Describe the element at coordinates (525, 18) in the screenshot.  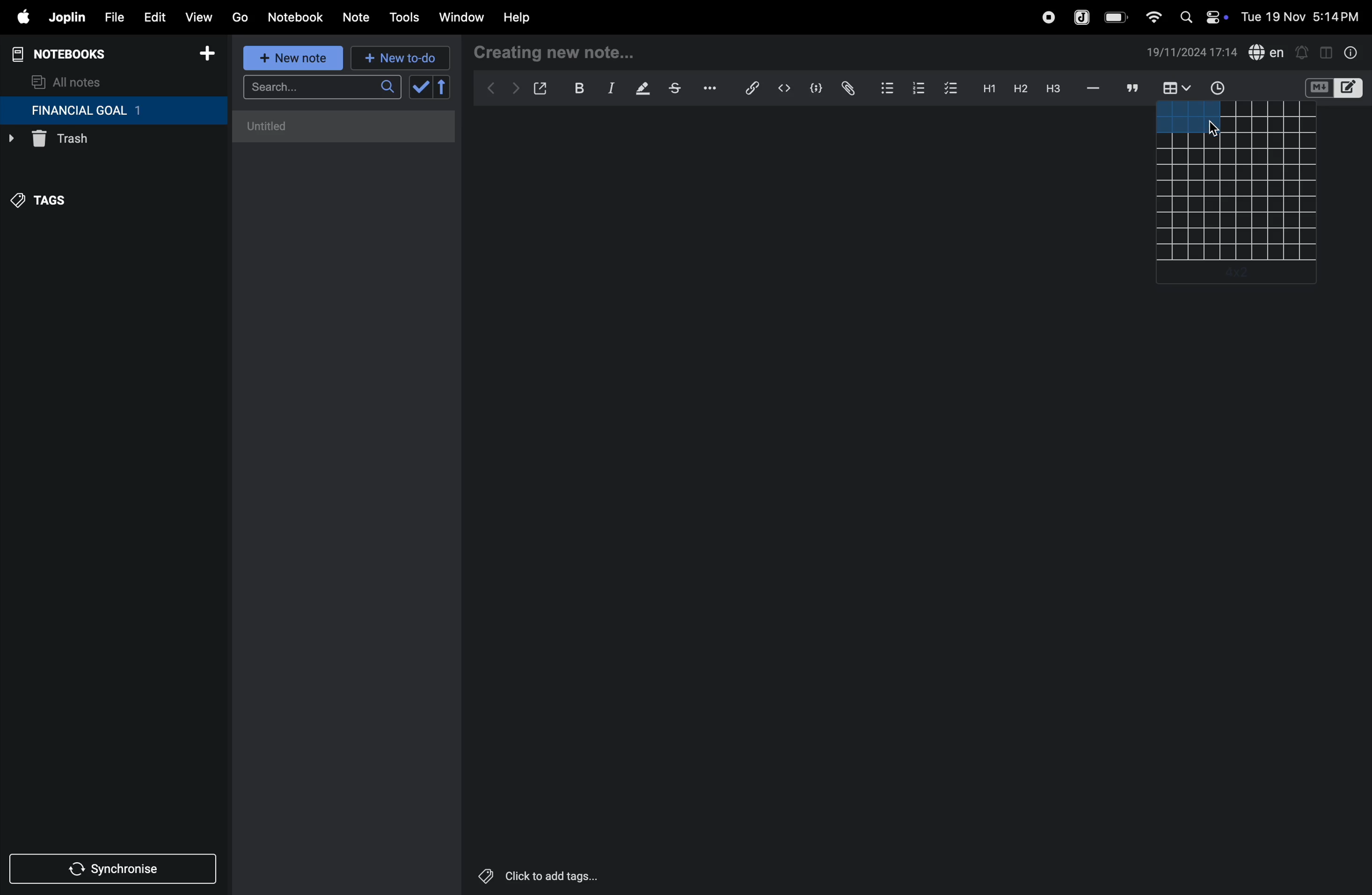
I see `help` at that location.